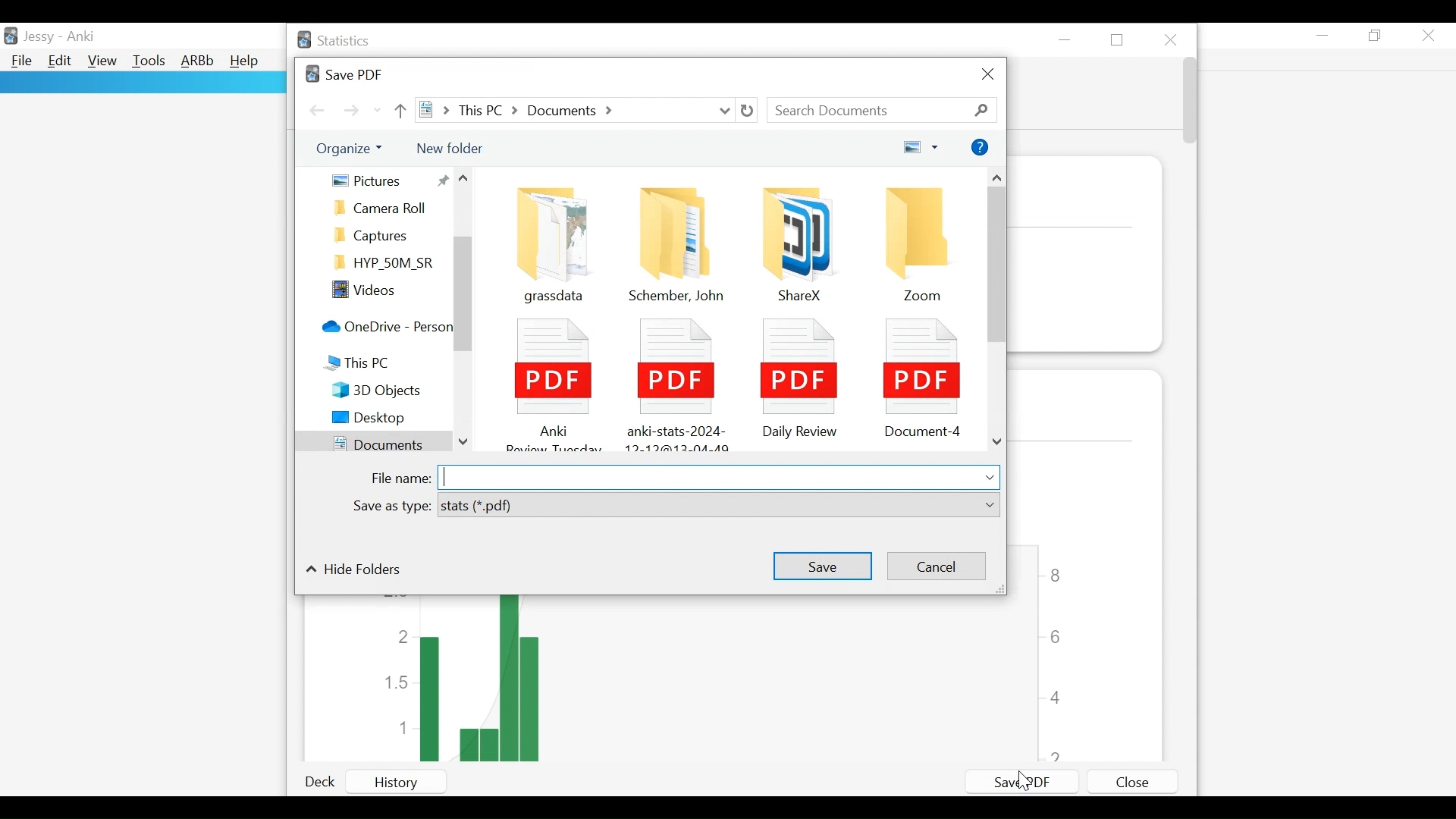  Describe the element at coordinates (400, 479) in the screenshot. I see `` at that location.